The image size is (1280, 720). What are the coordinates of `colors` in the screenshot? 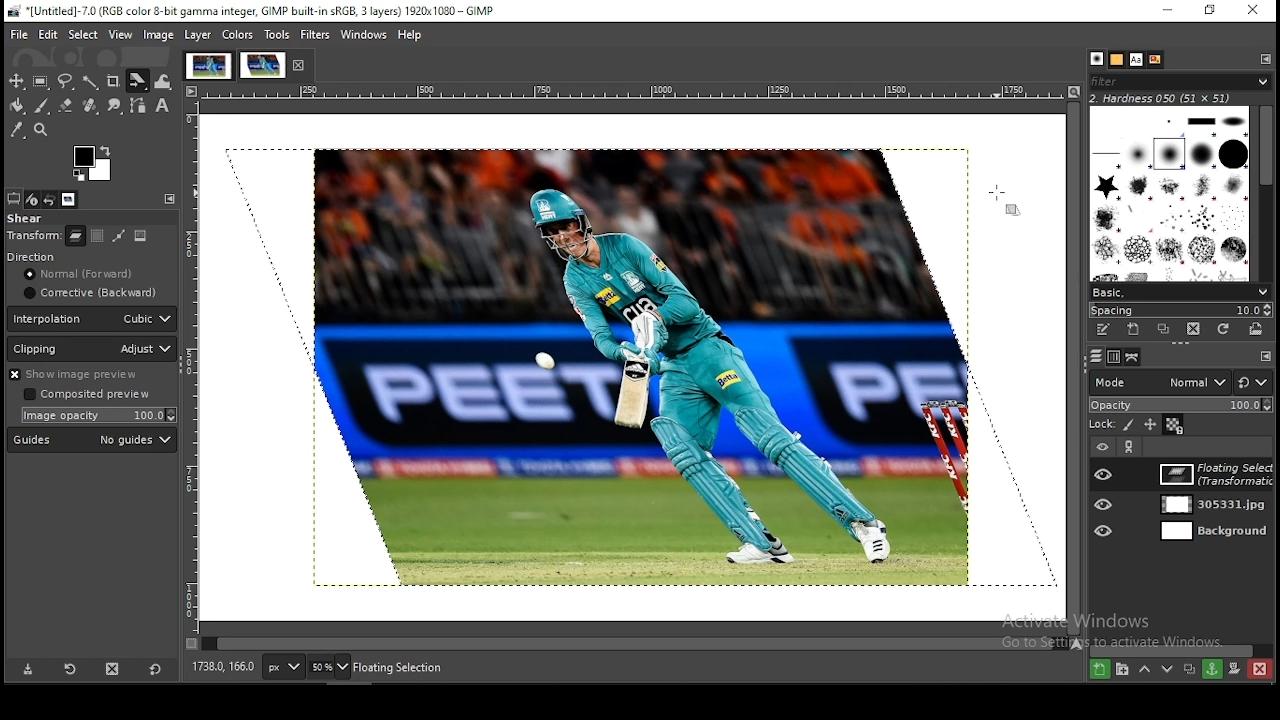 It's located at (238, 35).